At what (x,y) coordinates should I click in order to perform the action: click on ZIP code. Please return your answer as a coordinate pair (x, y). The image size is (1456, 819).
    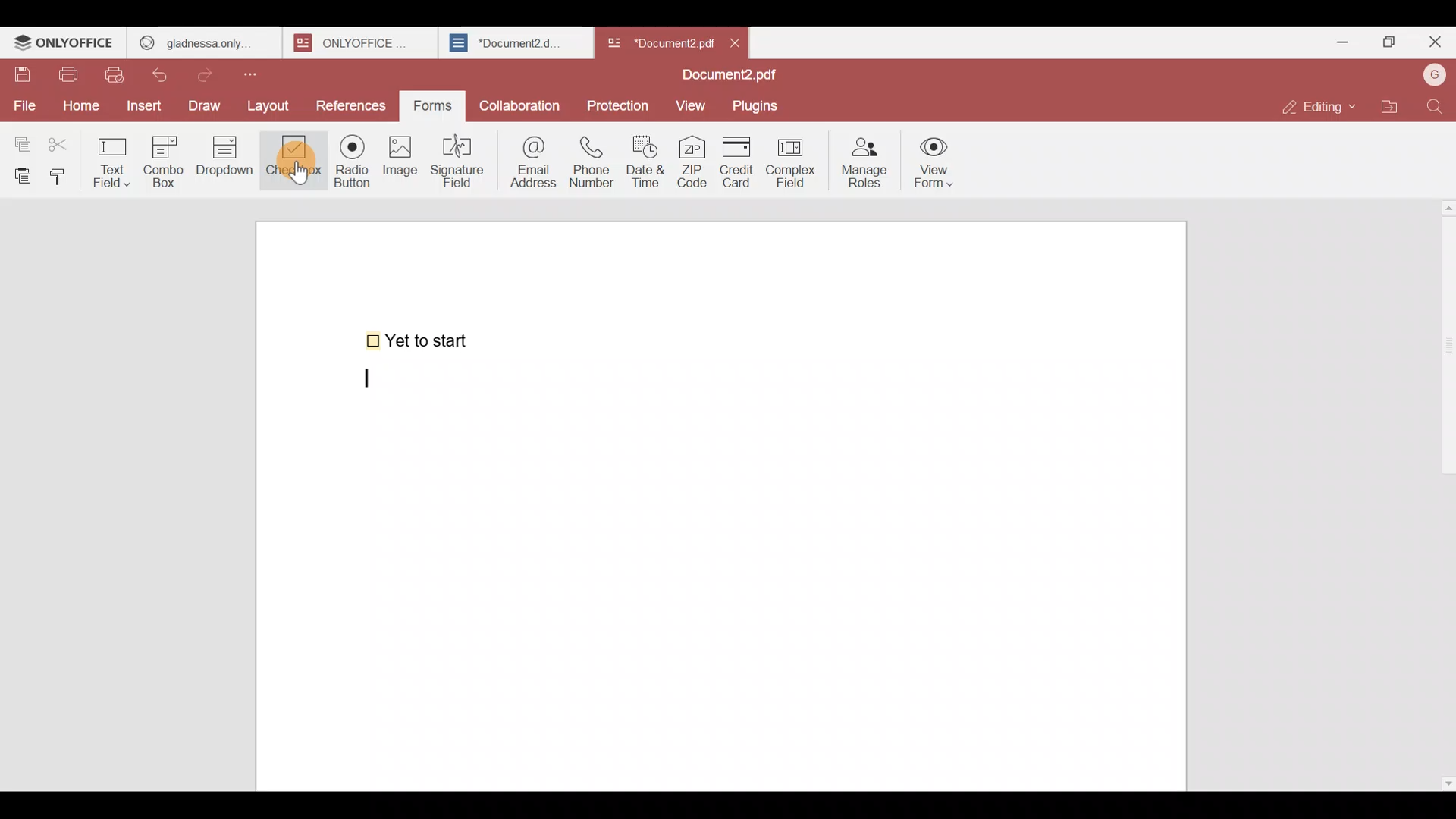
    Looking at the image, I should click on (692, 163).